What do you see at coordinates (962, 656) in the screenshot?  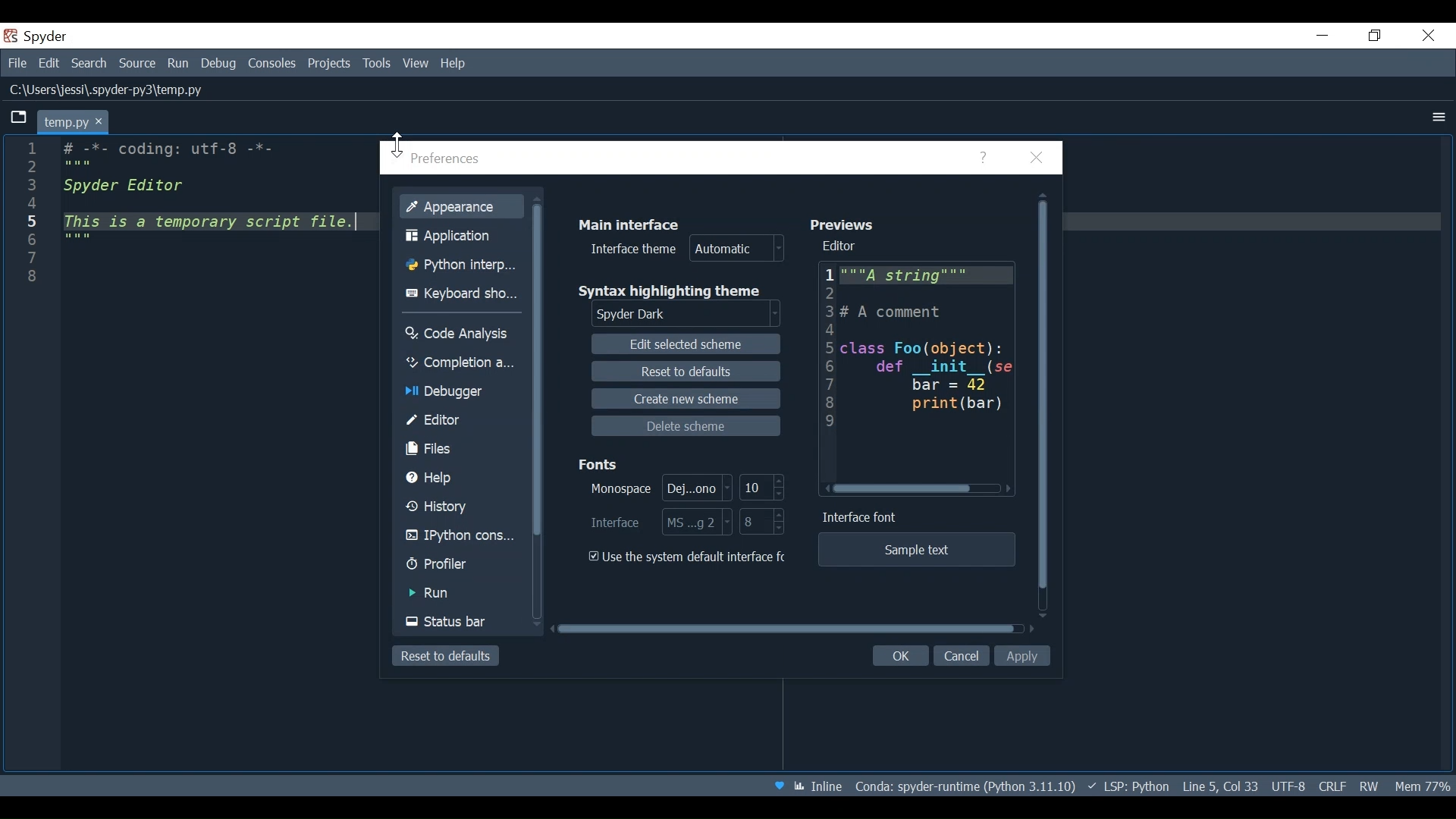 I see `Cancel` at bounding box center [962, 656].